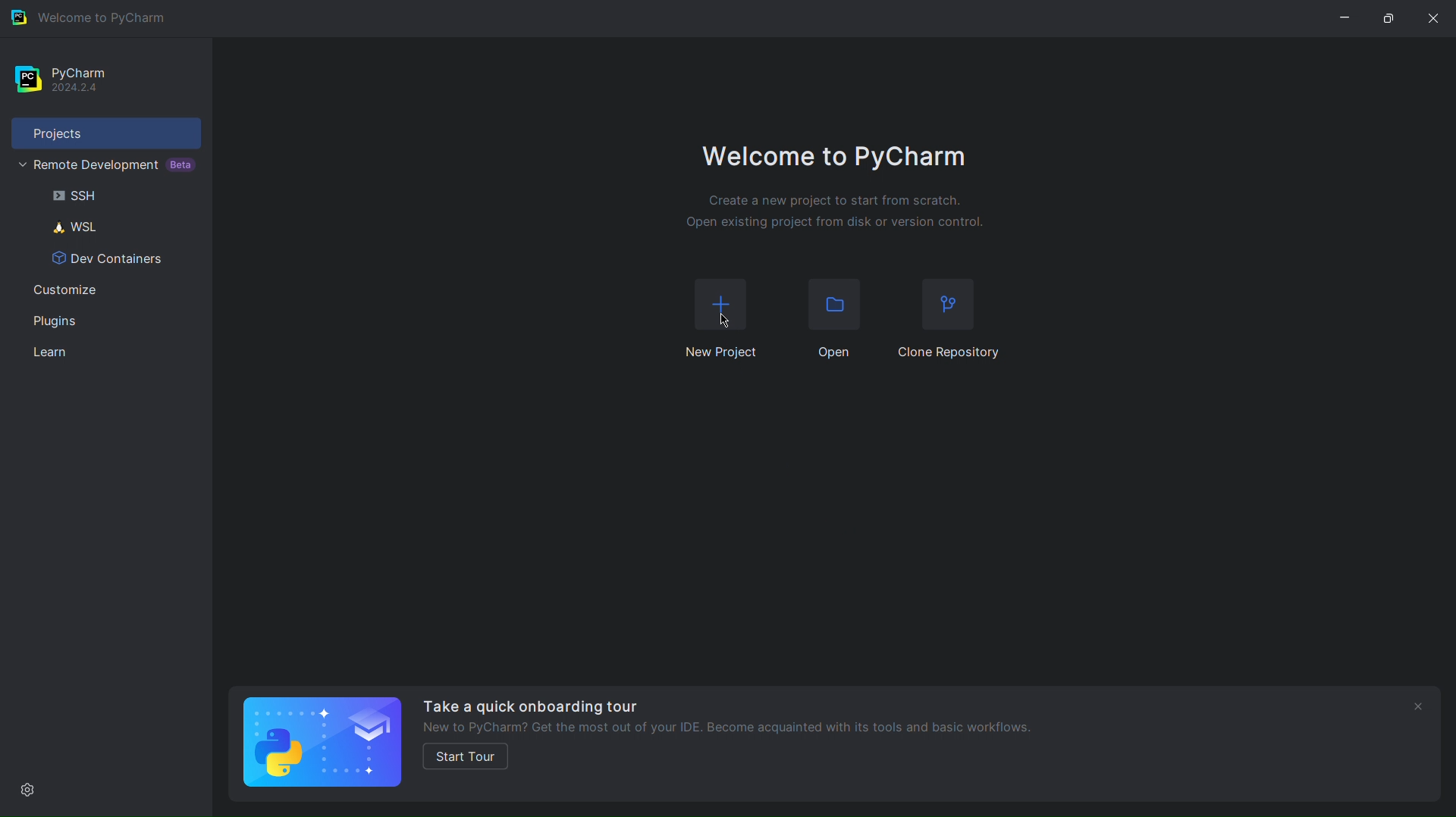  Describe the element at coordinates (105, 133) in the screenshot. I see `Projects` at that location.